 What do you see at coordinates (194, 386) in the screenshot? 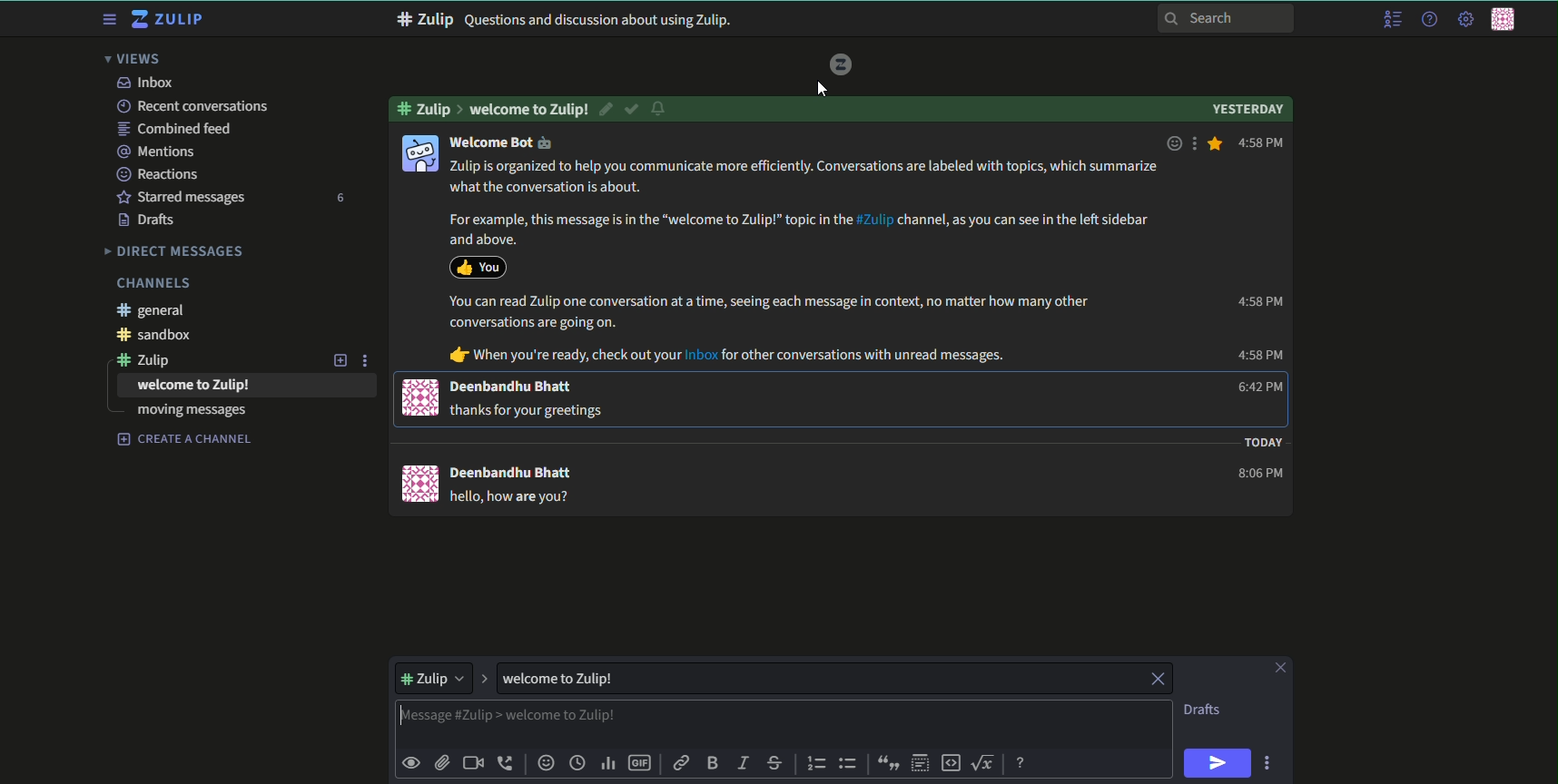
I see `welcome to Zulip!` at bounding box center [194, 386].